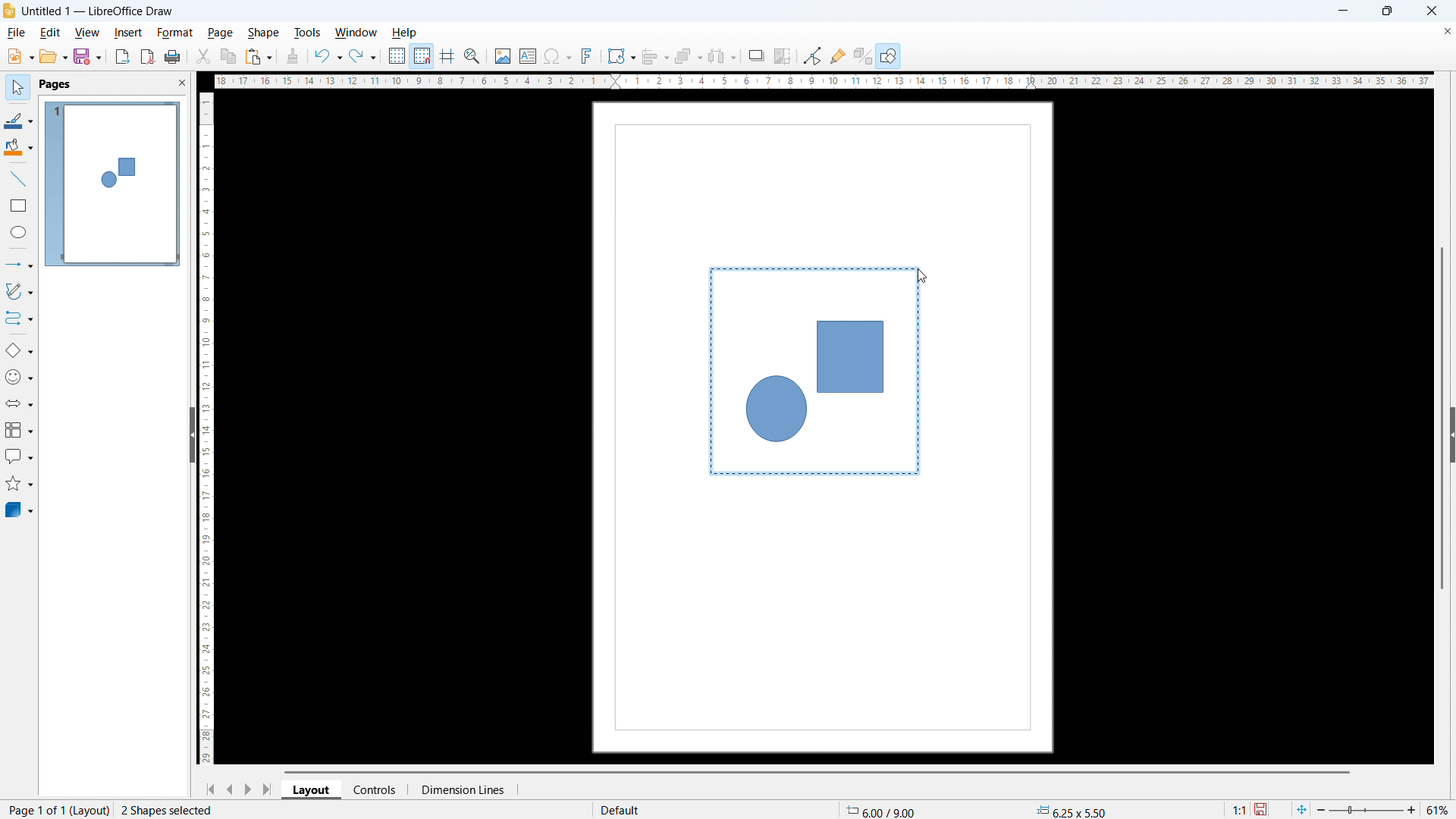 This screenshot has height=819, width=1456. I want to click on cursor, so click(921, 278).